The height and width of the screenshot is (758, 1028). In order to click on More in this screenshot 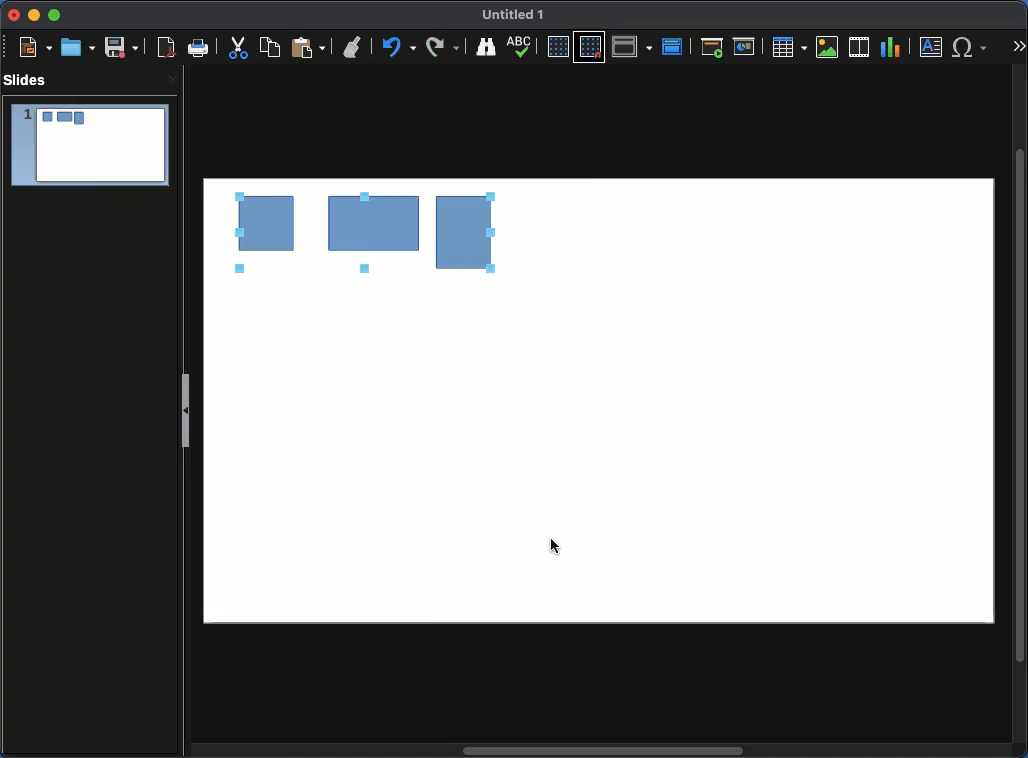, I will do `click(1018, 41)`.